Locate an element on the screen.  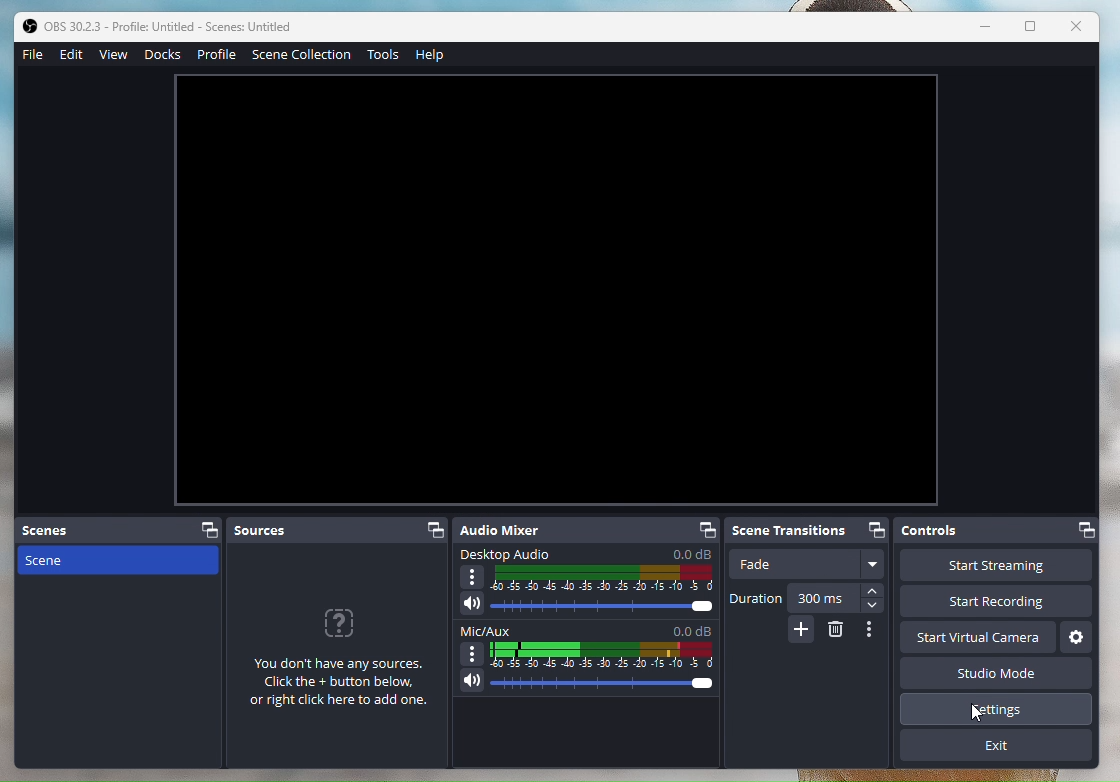
Start streaming is located at coordinates (926, 565).